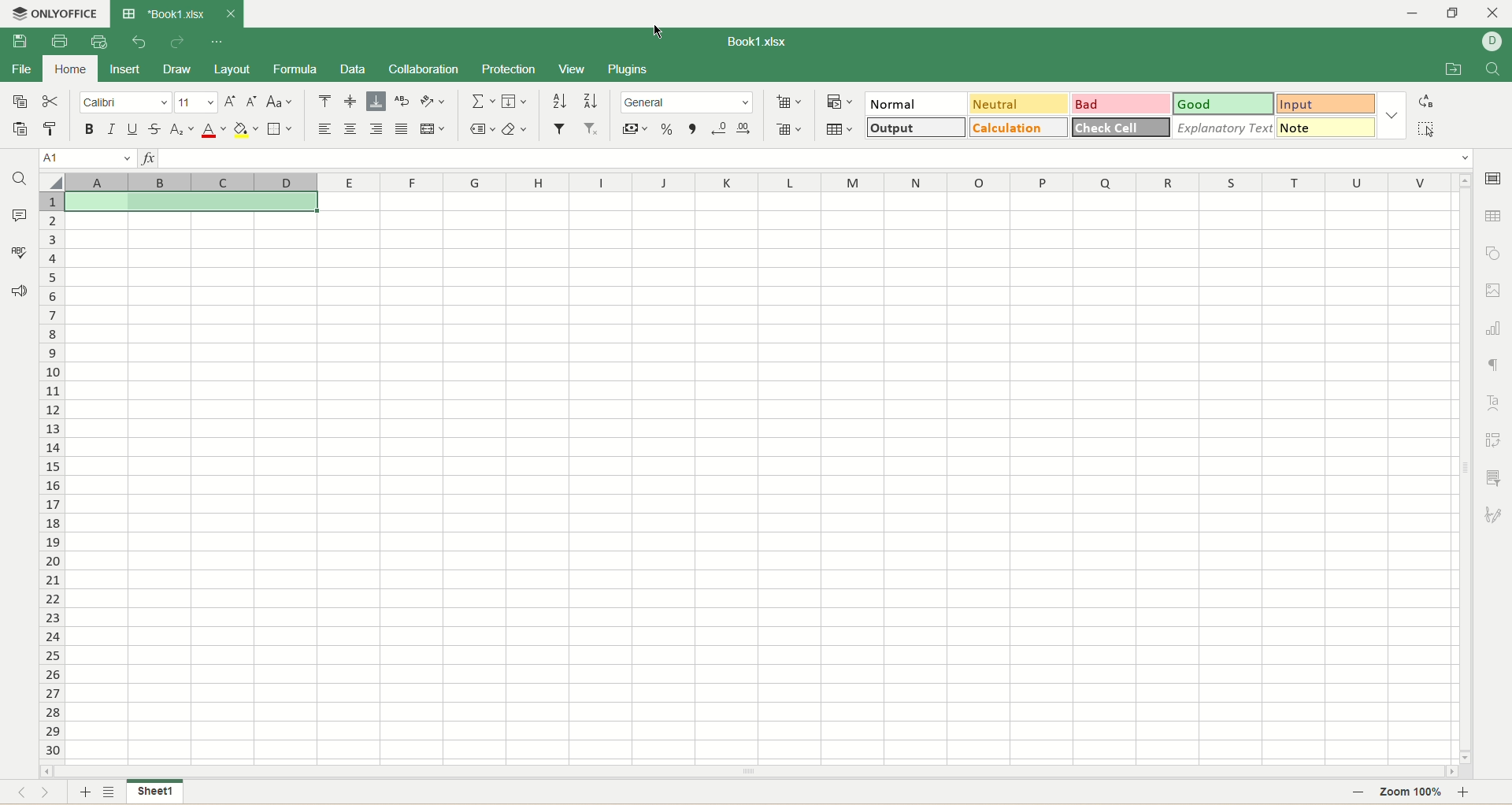  I want to click on new sheet, so click(83, 793).